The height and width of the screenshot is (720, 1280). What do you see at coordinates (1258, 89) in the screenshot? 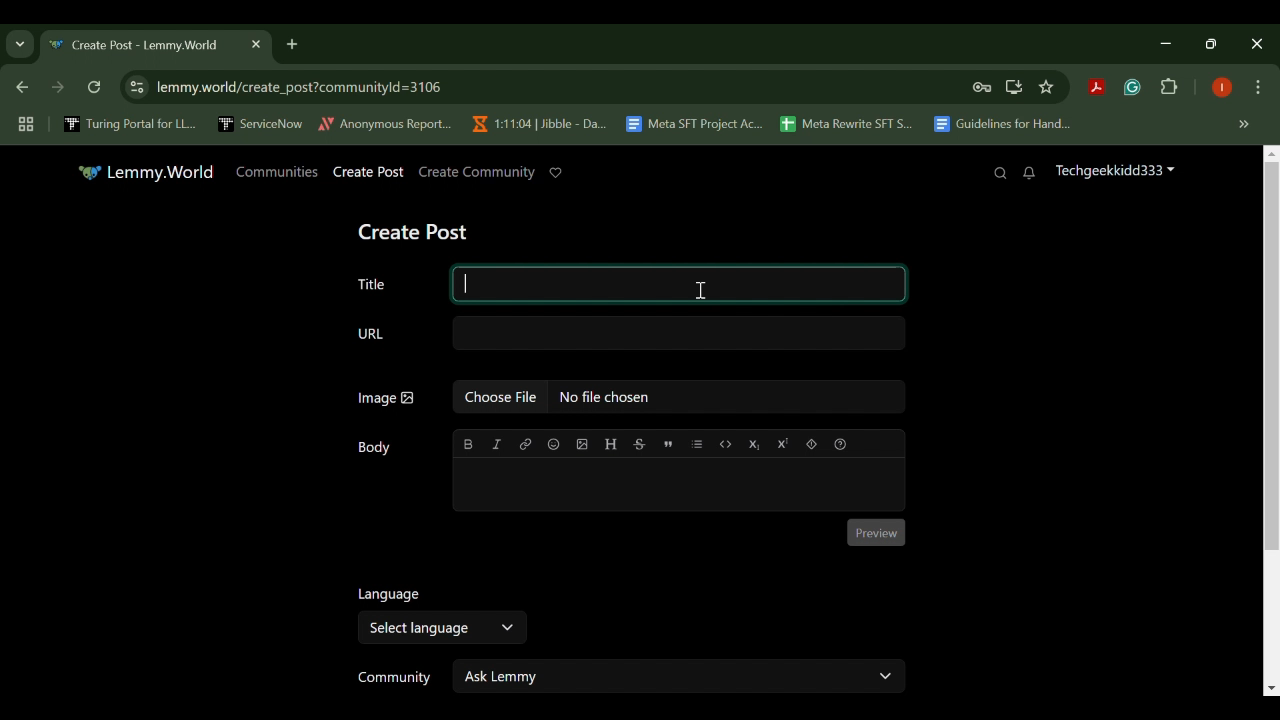
I see `Options` at bounding box center [1258, 89].